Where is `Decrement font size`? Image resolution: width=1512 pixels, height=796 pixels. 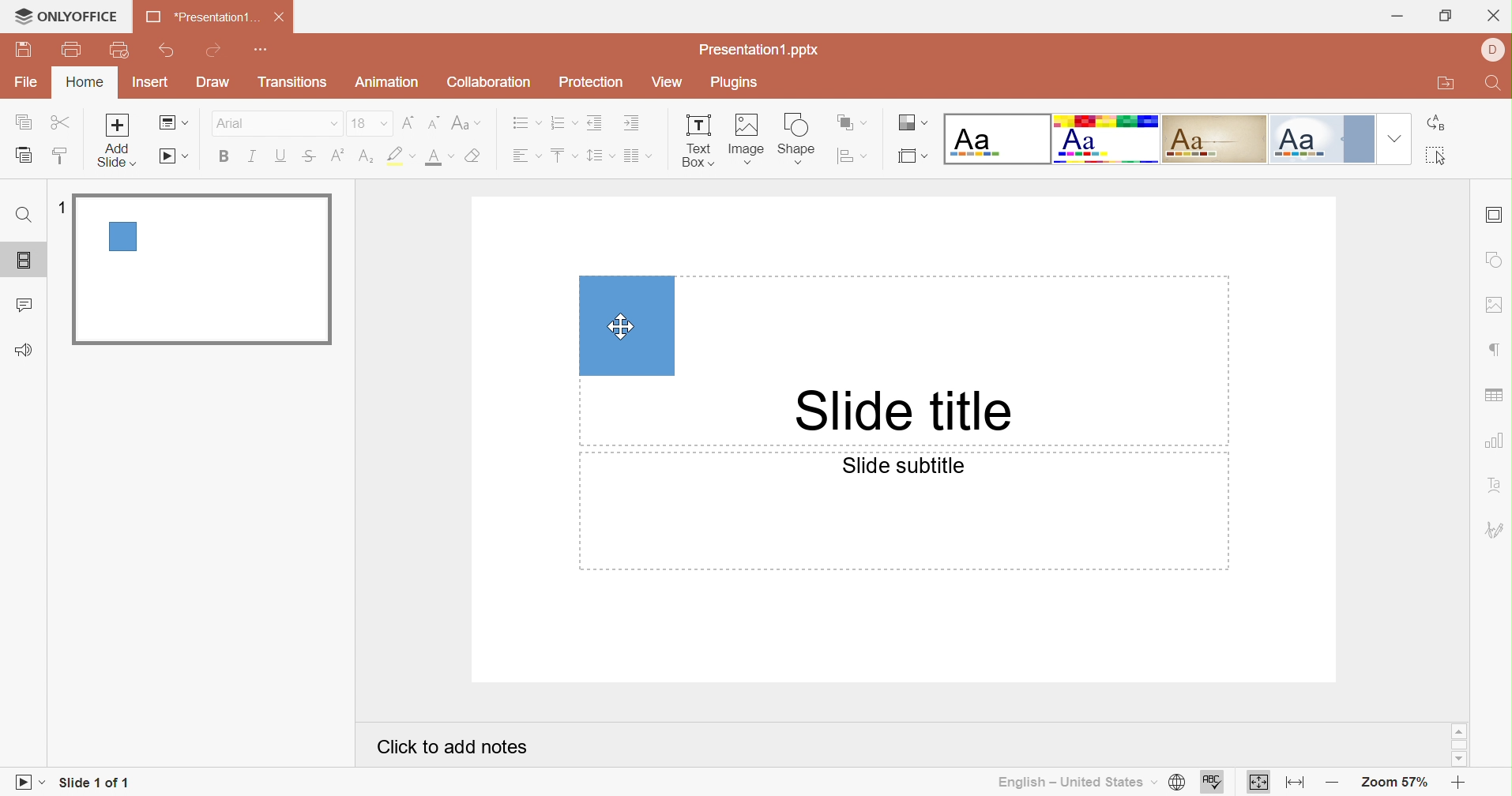
Decrement font size is located at coordinates (433, 123).